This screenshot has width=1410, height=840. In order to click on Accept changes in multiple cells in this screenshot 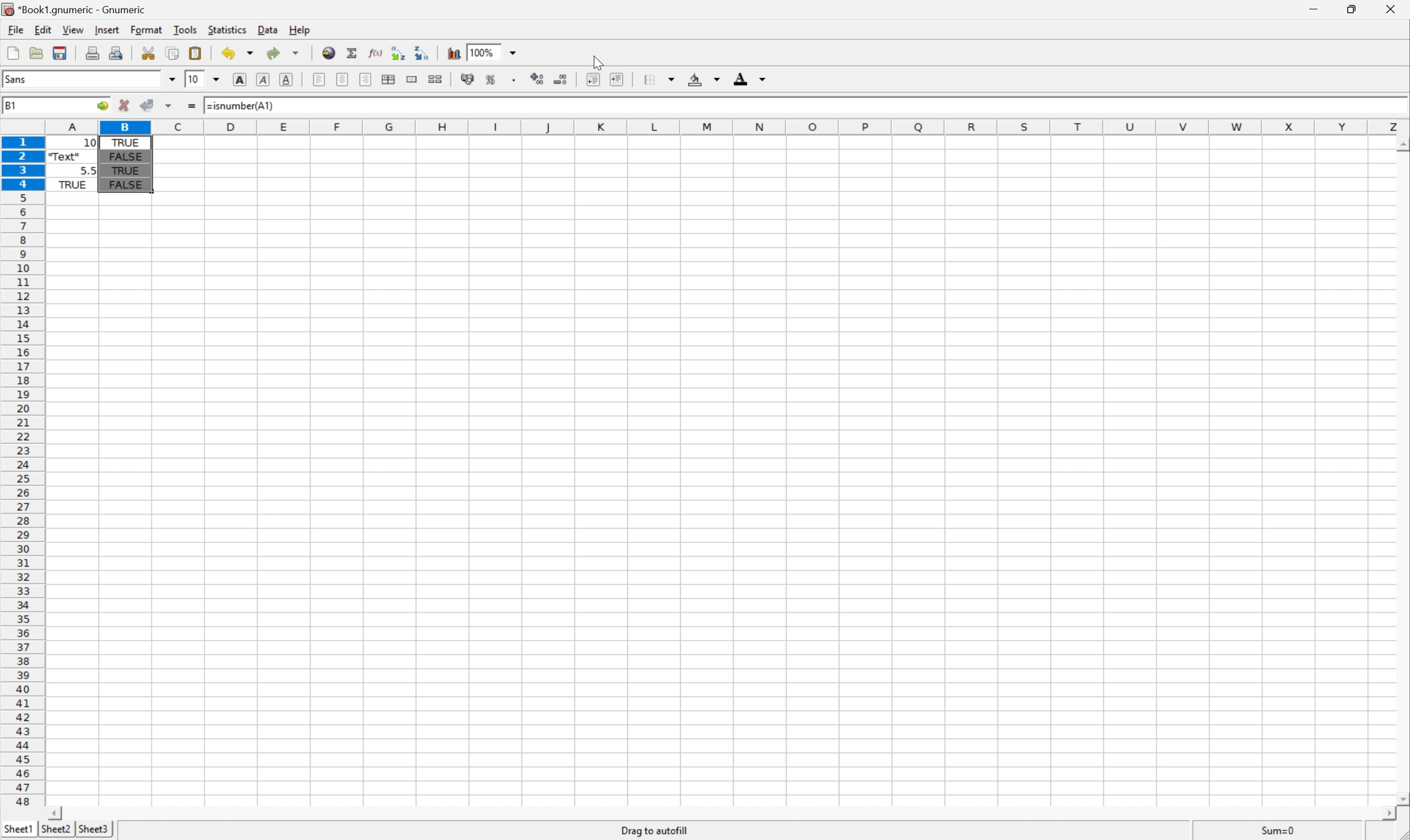, I will do `click(168, 106)`.